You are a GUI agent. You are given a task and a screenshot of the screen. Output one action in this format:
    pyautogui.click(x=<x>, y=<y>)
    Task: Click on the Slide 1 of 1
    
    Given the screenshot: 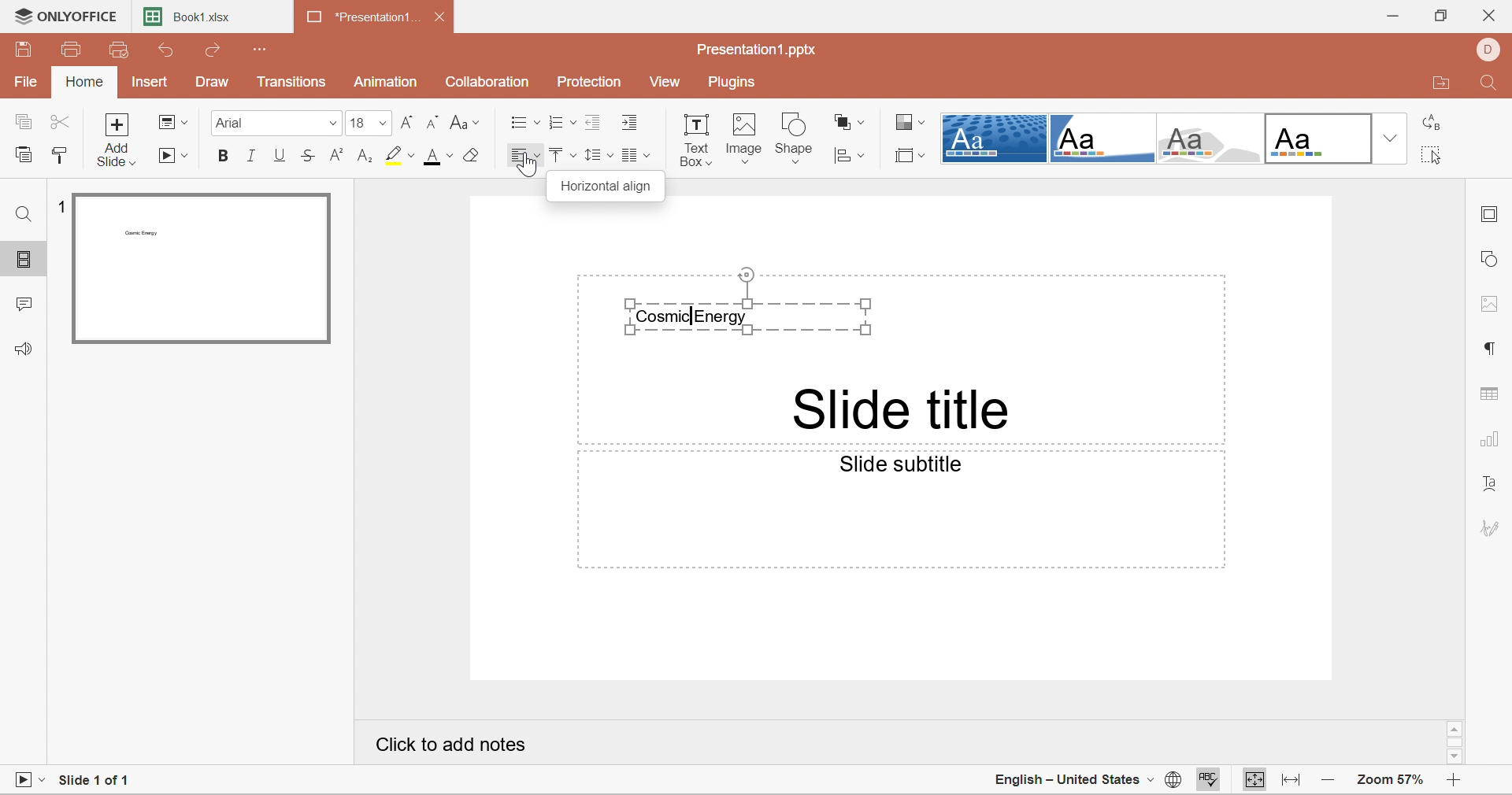 What is the action you would take?
    pyautogui.click(x=100, y=779)
    